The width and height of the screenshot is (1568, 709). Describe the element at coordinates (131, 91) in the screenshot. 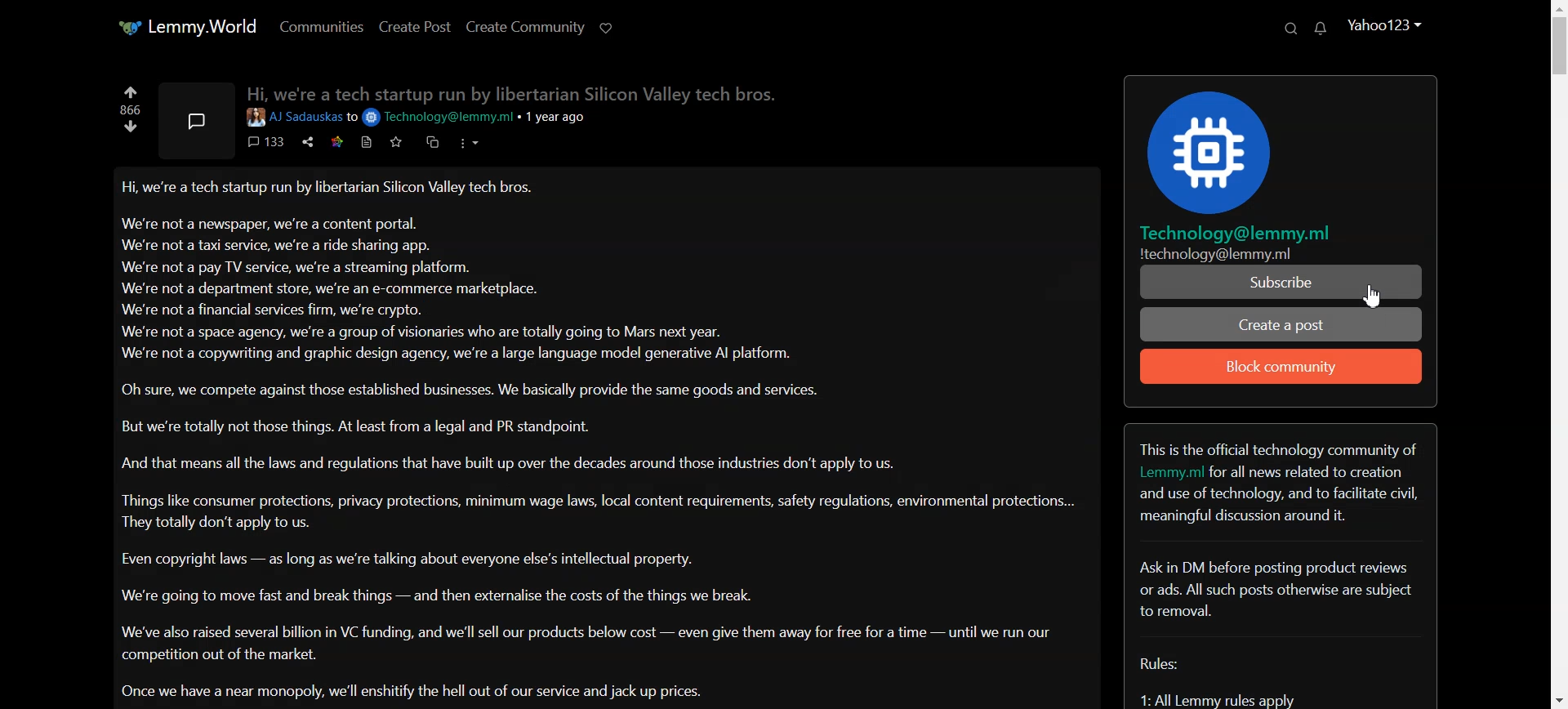

I see `Up` at that location.